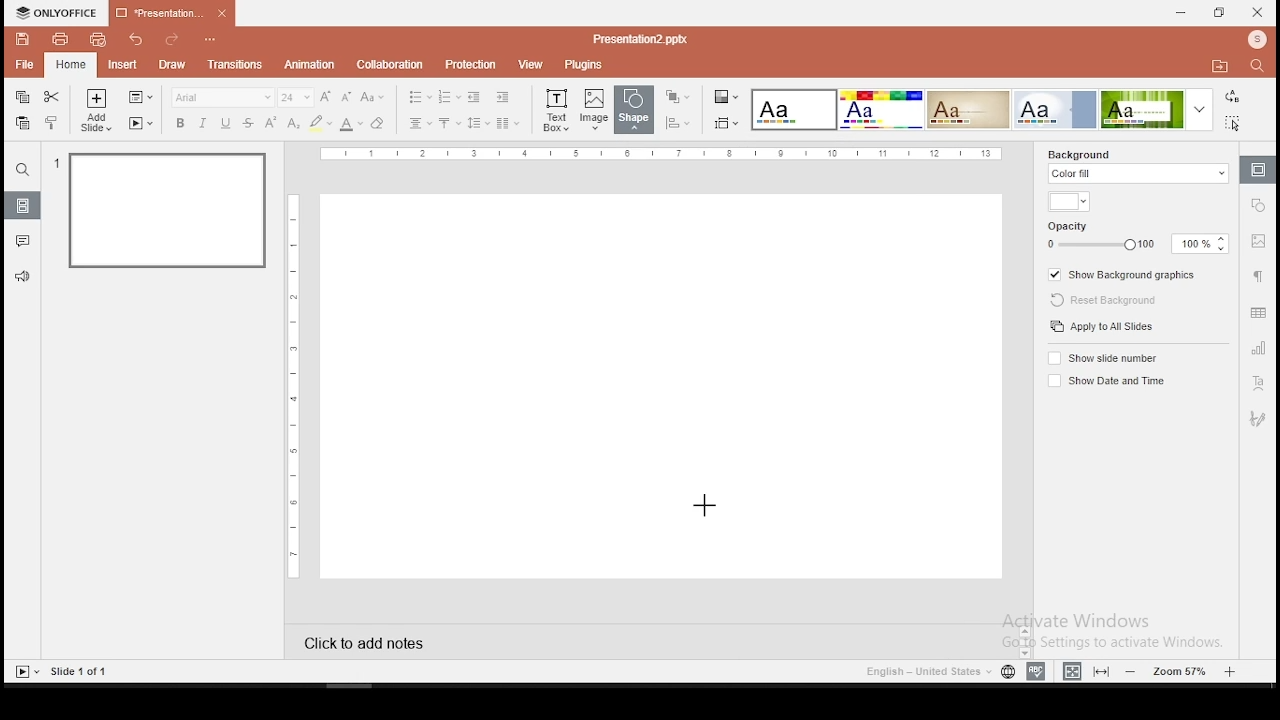 Image resolution: width=1280 pixels, height=720 pixels. What do you see at coordinates (320, 124) in the screenshot?
I see `highlight color` at bounding box center [320, 124].